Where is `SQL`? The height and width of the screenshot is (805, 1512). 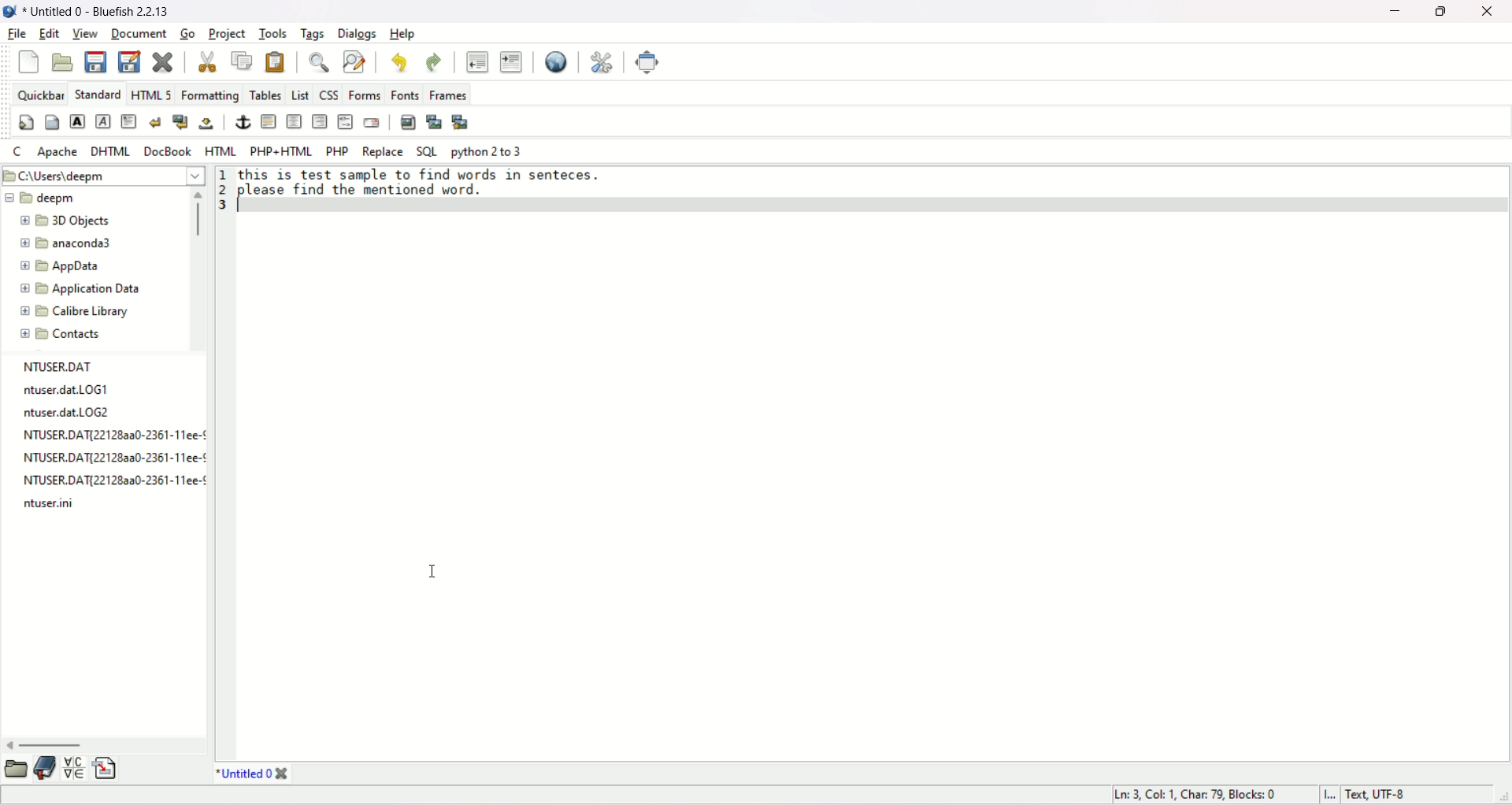 SQL is located at coordinates (427, 151).